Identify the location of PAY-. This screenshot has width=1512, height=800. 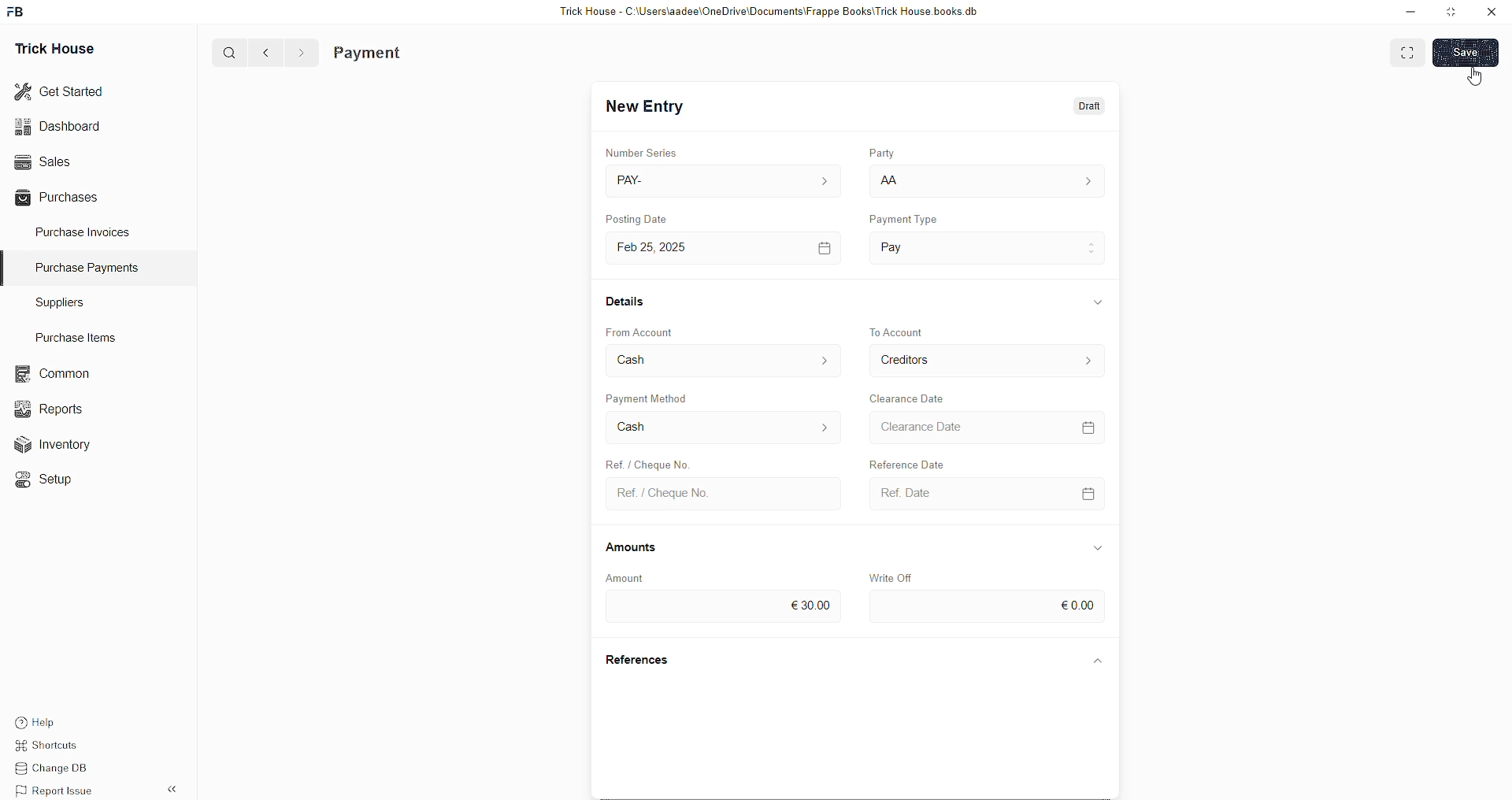
(643, 183).